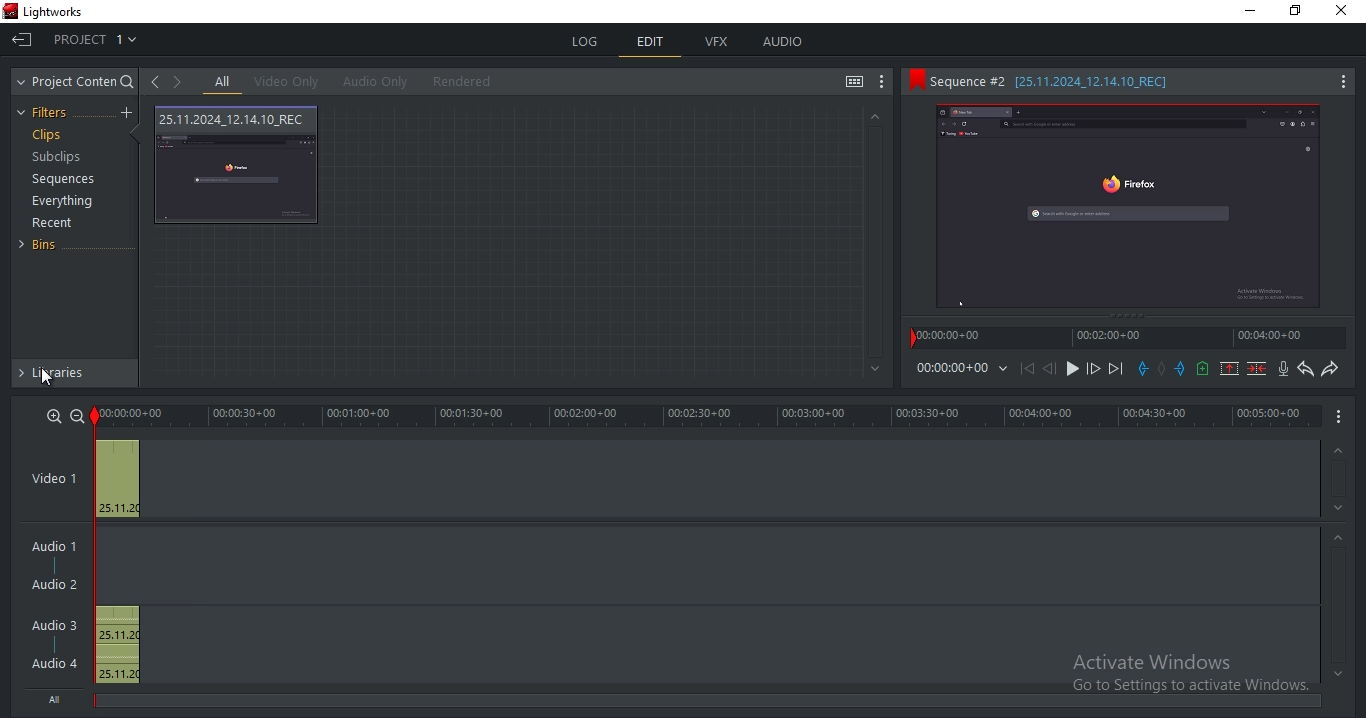 The image size is (1366, 718). I want to click on video, so click(238, 166).